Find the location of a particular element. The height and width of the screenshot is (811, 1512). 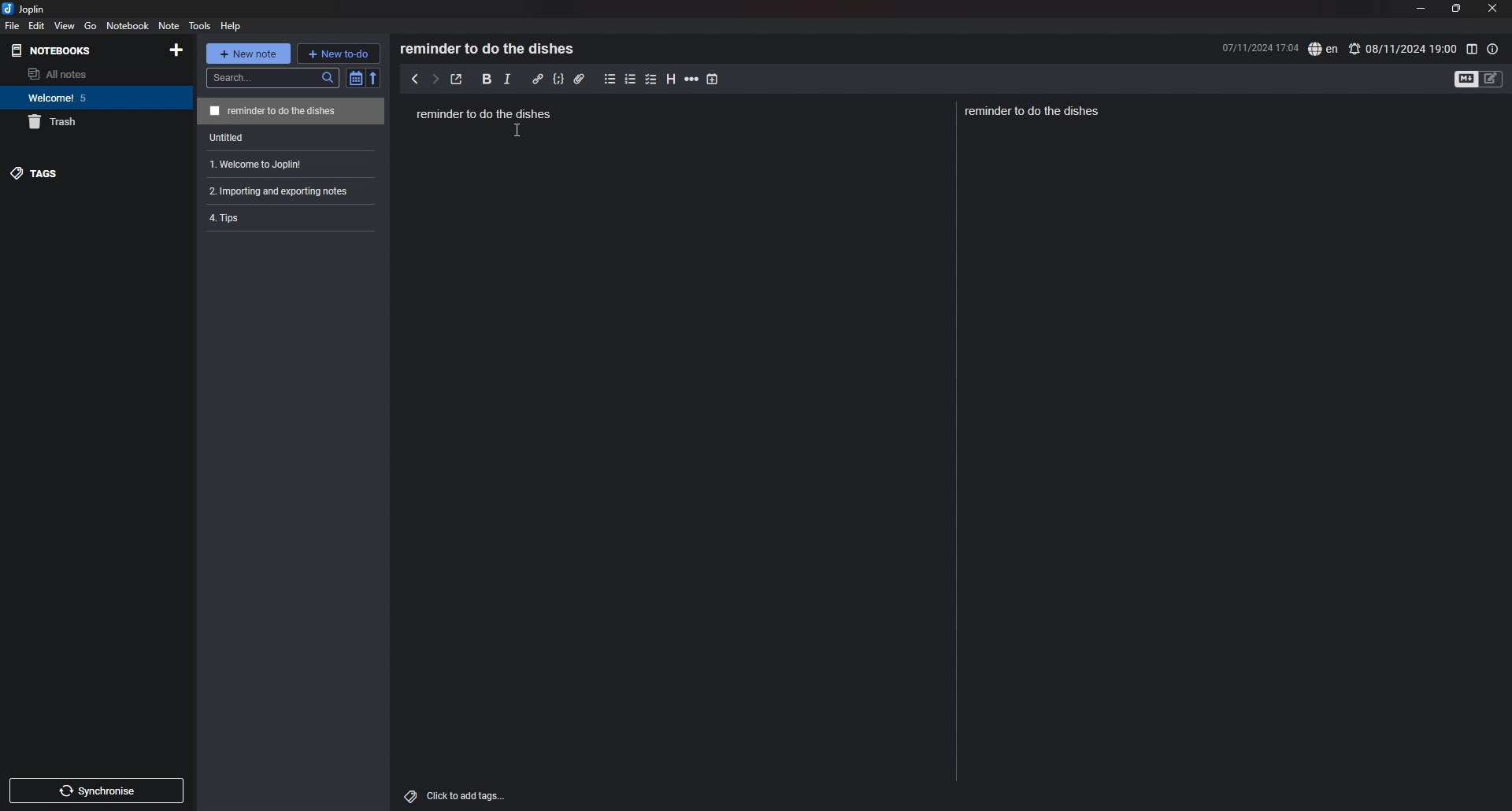

bullet list is located at coordinates (610, 80).